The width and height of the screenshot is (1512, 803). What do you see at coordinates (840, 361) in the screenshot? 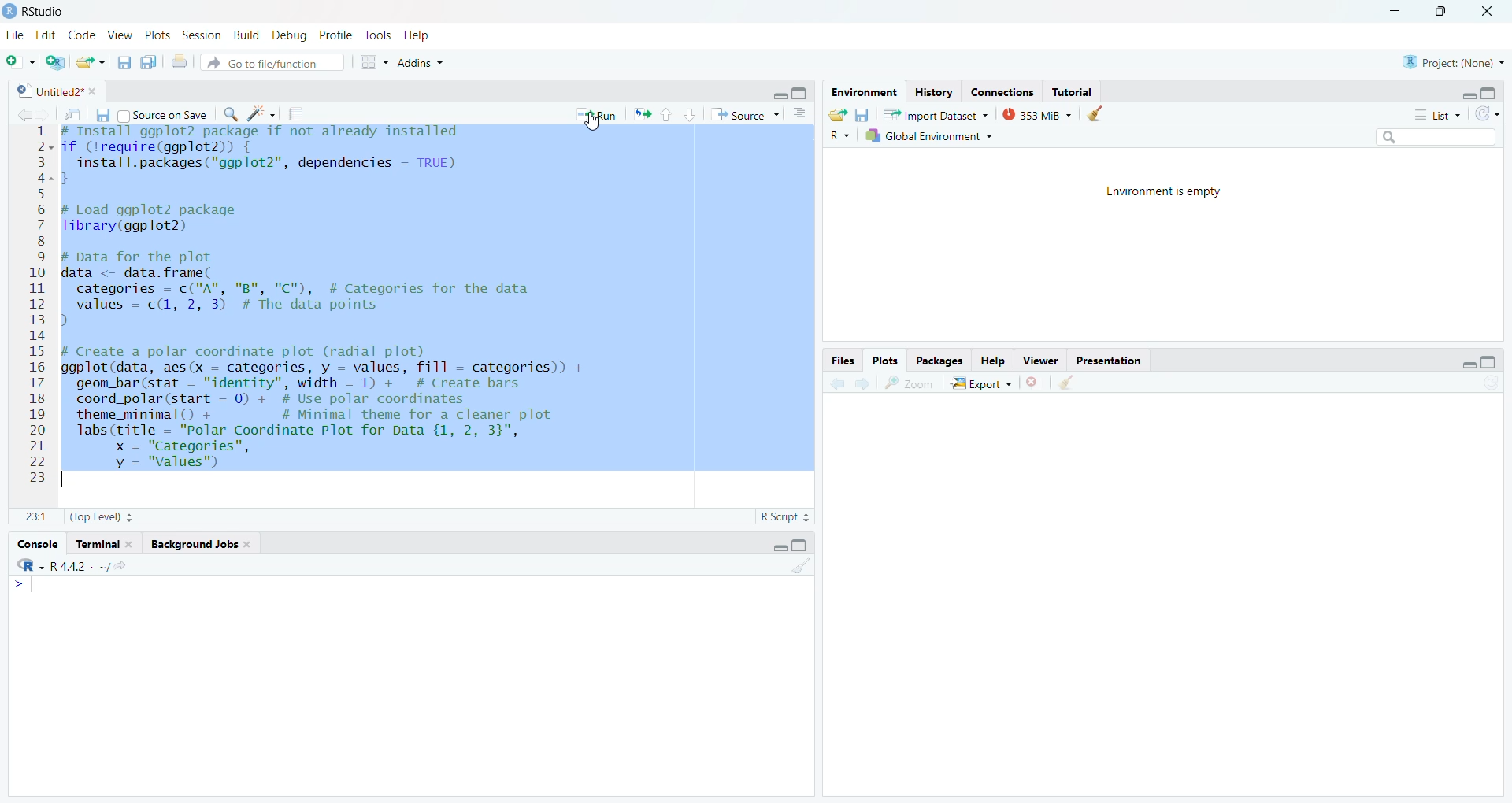
I see `Files` at bounding box center [840, 361].